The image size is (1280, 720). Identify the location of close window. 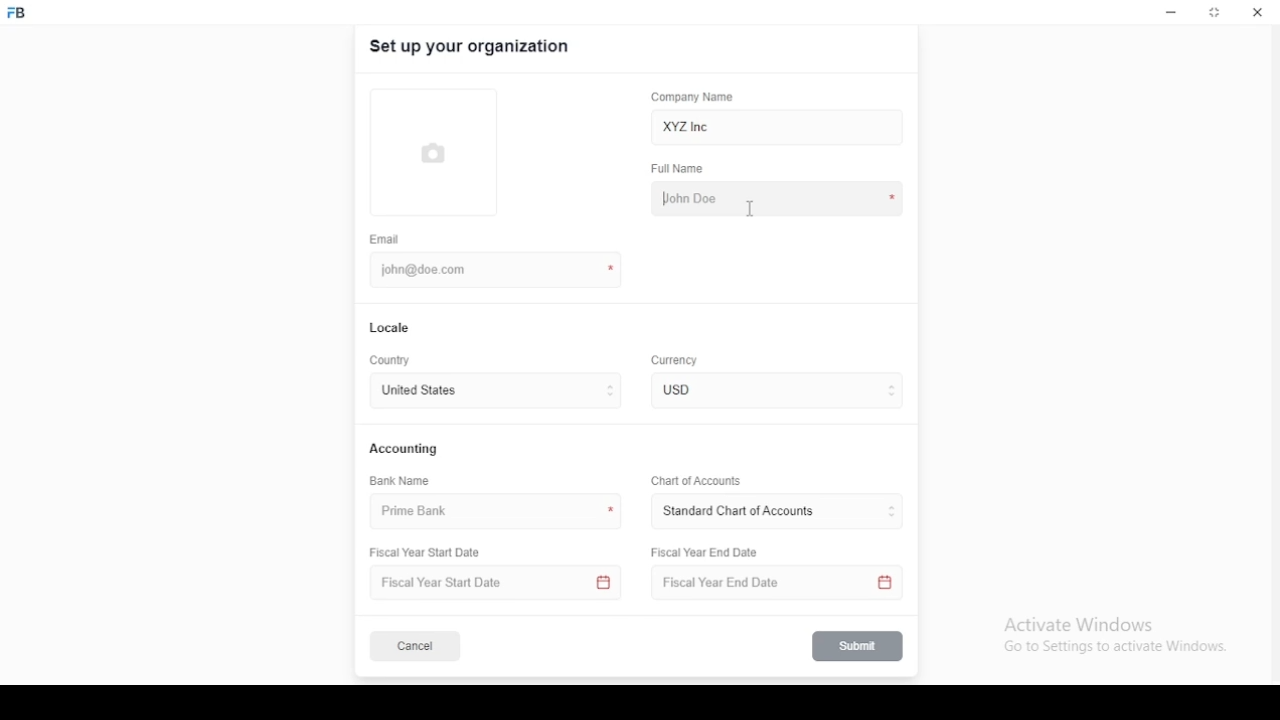
(1255, 12).